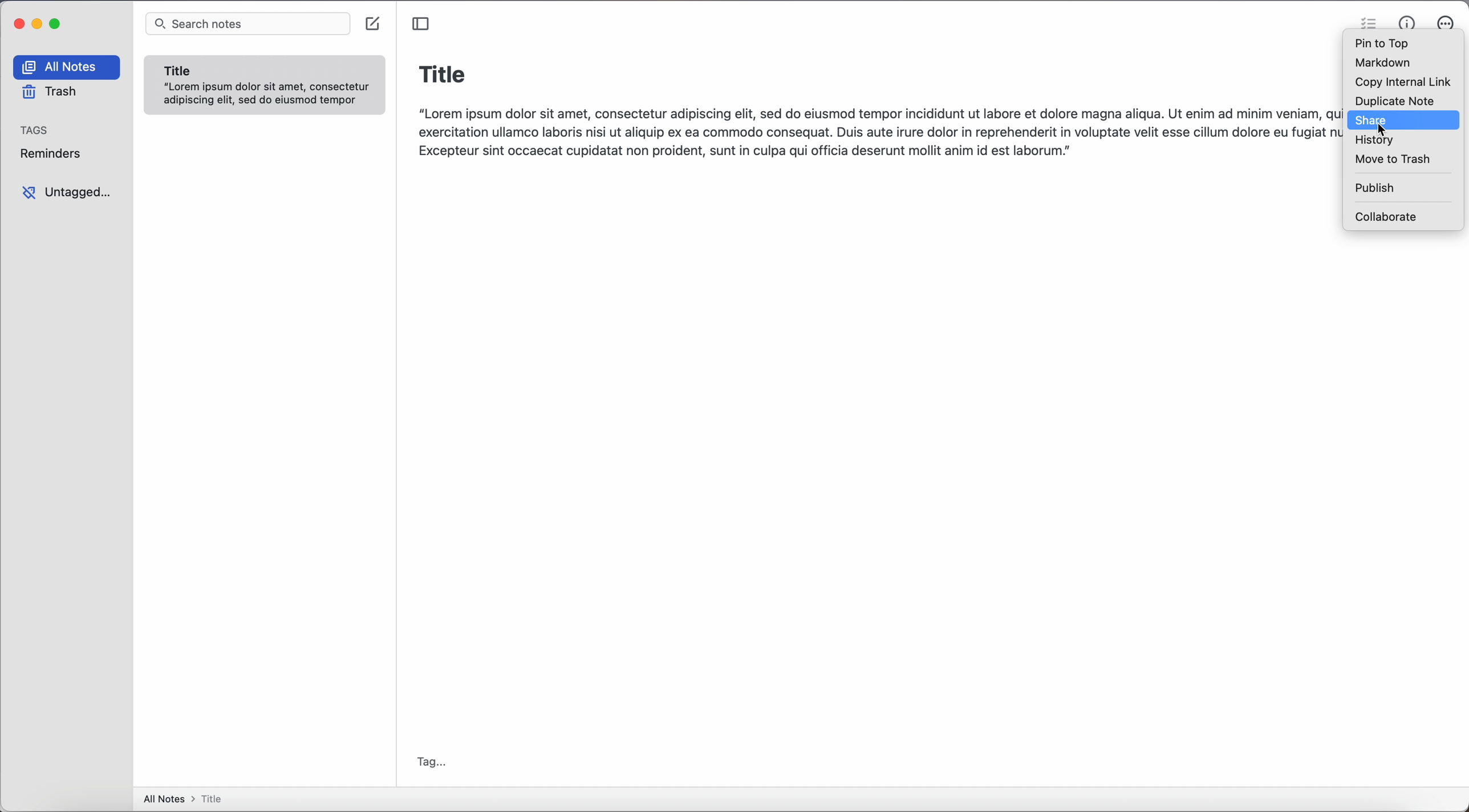 This screenshot has height=812, width=1469. Describe the element at coordinates (1374, 140) in the screenshot. I see `history` at that location.